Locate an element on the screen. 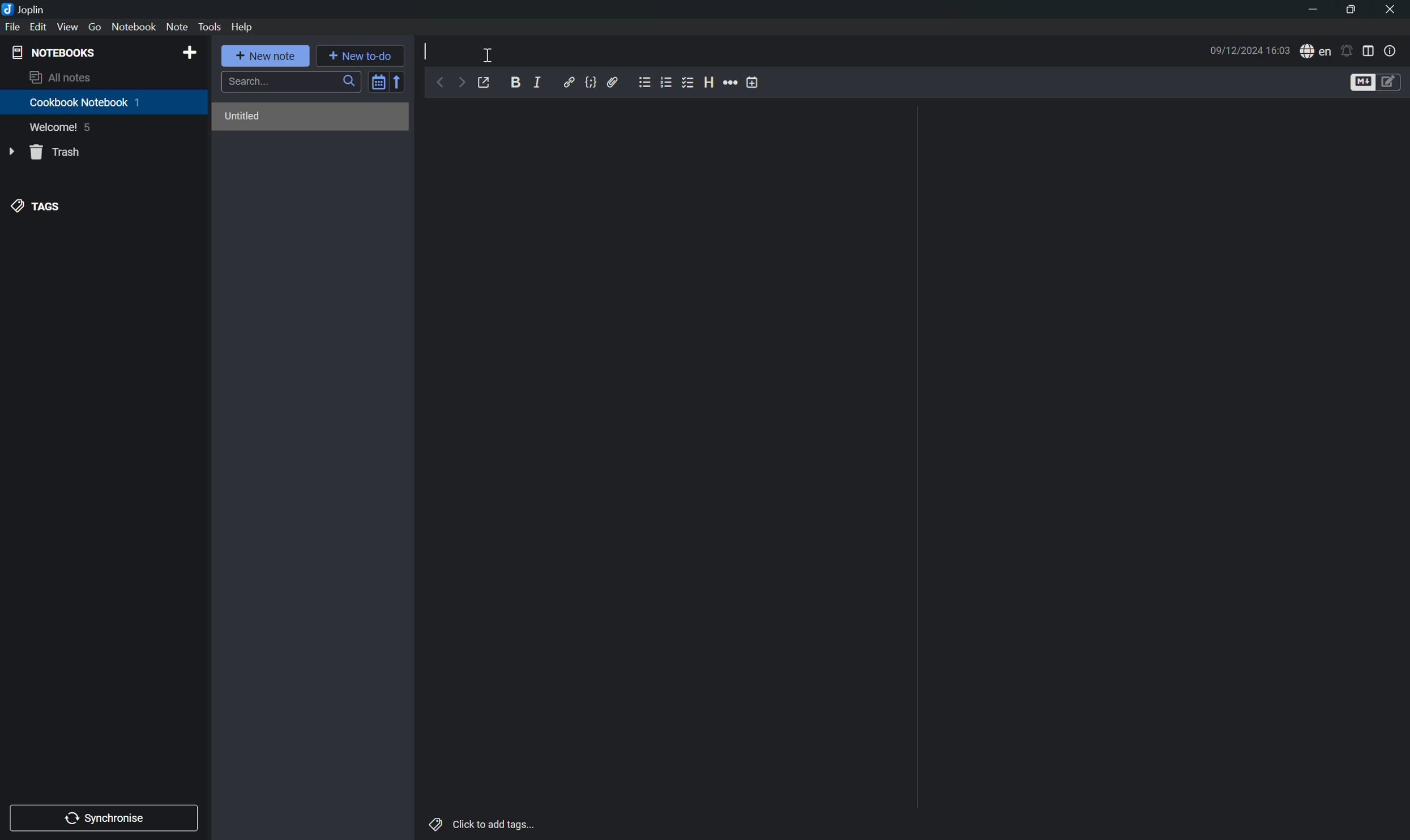  Attach file is located at coordinates (614, 83).